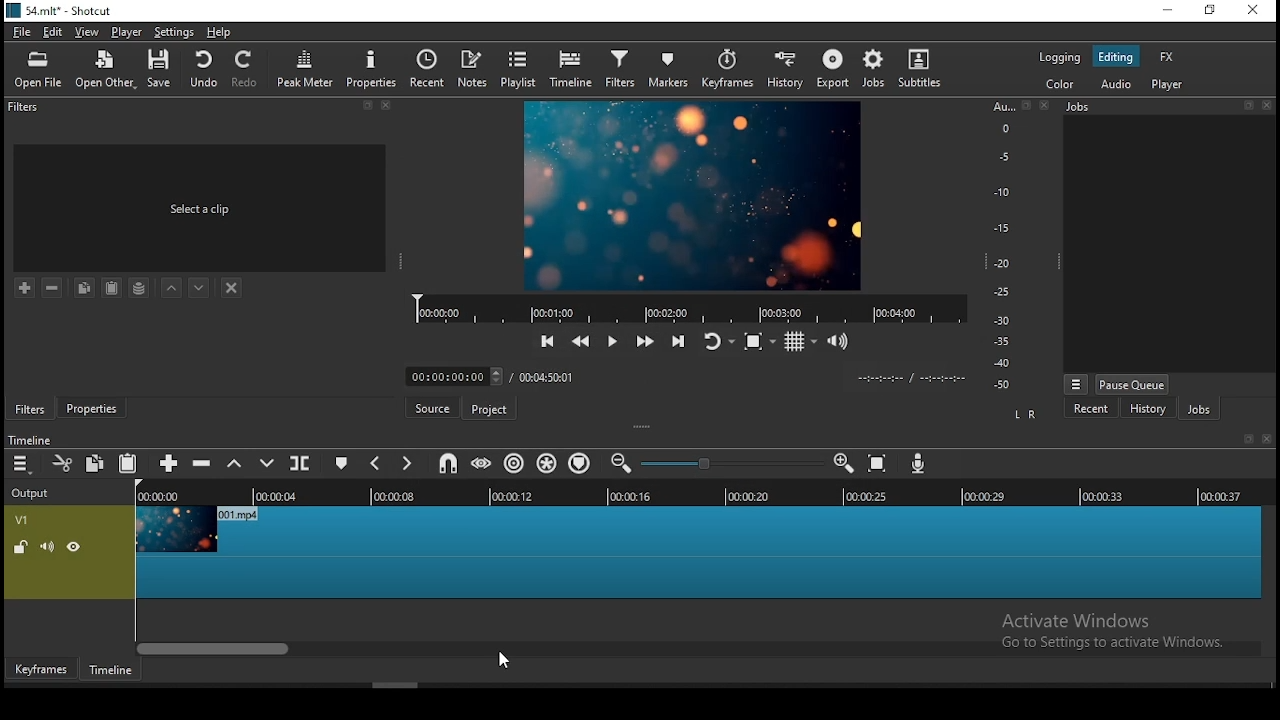 Image resolution: width=1280 pixels, height=720 pixels. Describe the element at coordinates (53, 33) in the screenshot. I see `edit` at that location.